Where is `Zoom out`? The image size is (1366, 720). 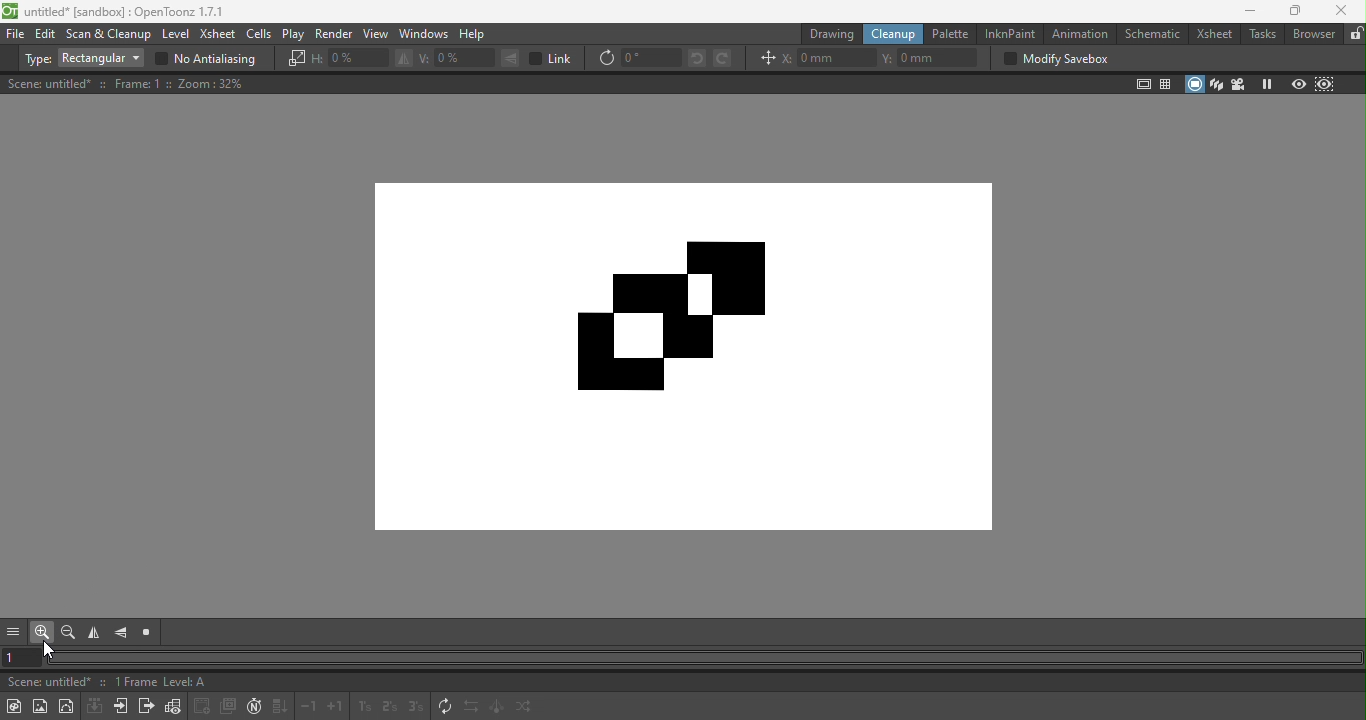
Zoom out is located at coordinates (68, 633).